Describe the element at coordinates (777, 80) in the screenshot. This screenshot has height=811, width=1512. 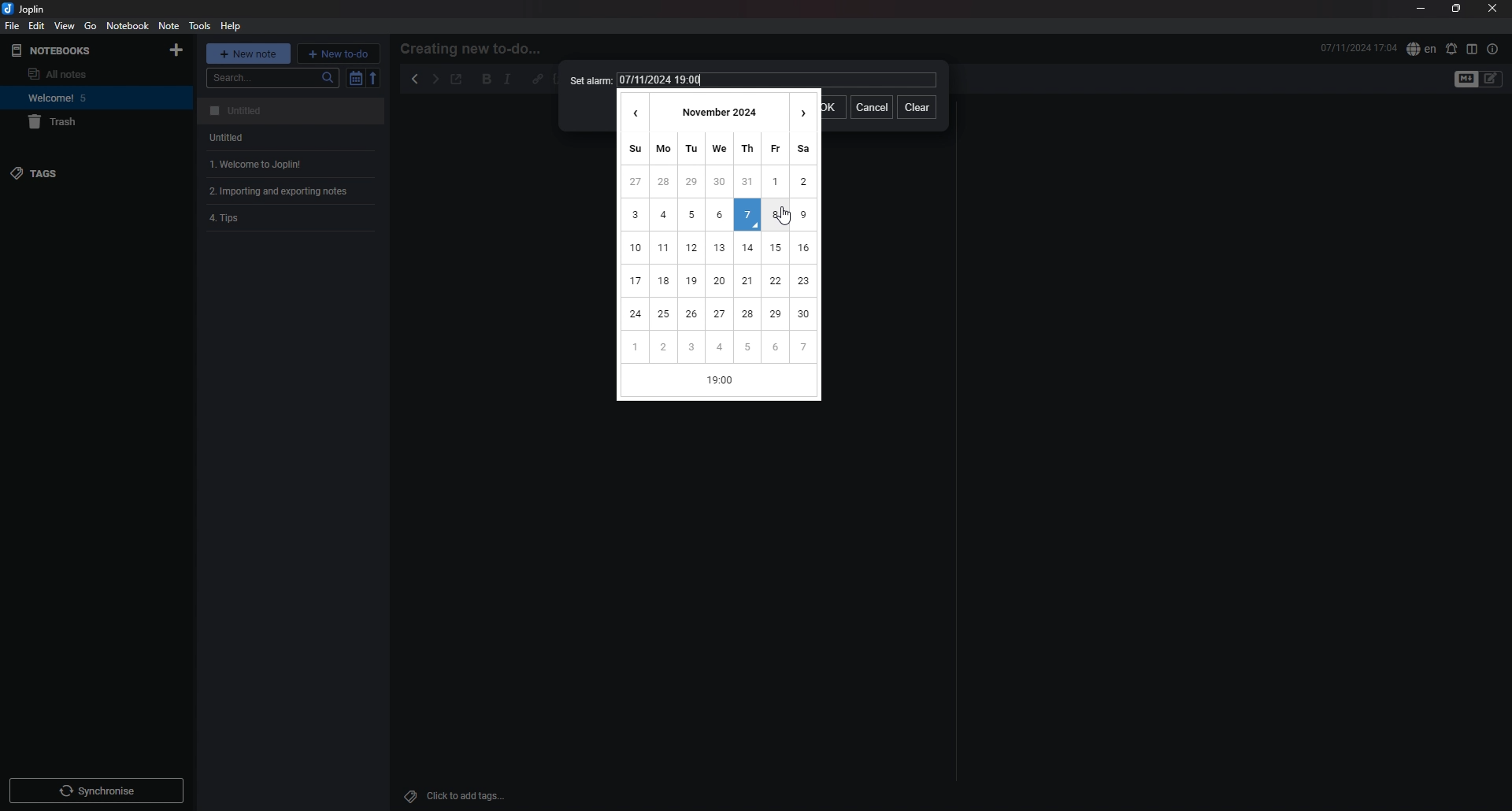
I see `date and time` at that location.